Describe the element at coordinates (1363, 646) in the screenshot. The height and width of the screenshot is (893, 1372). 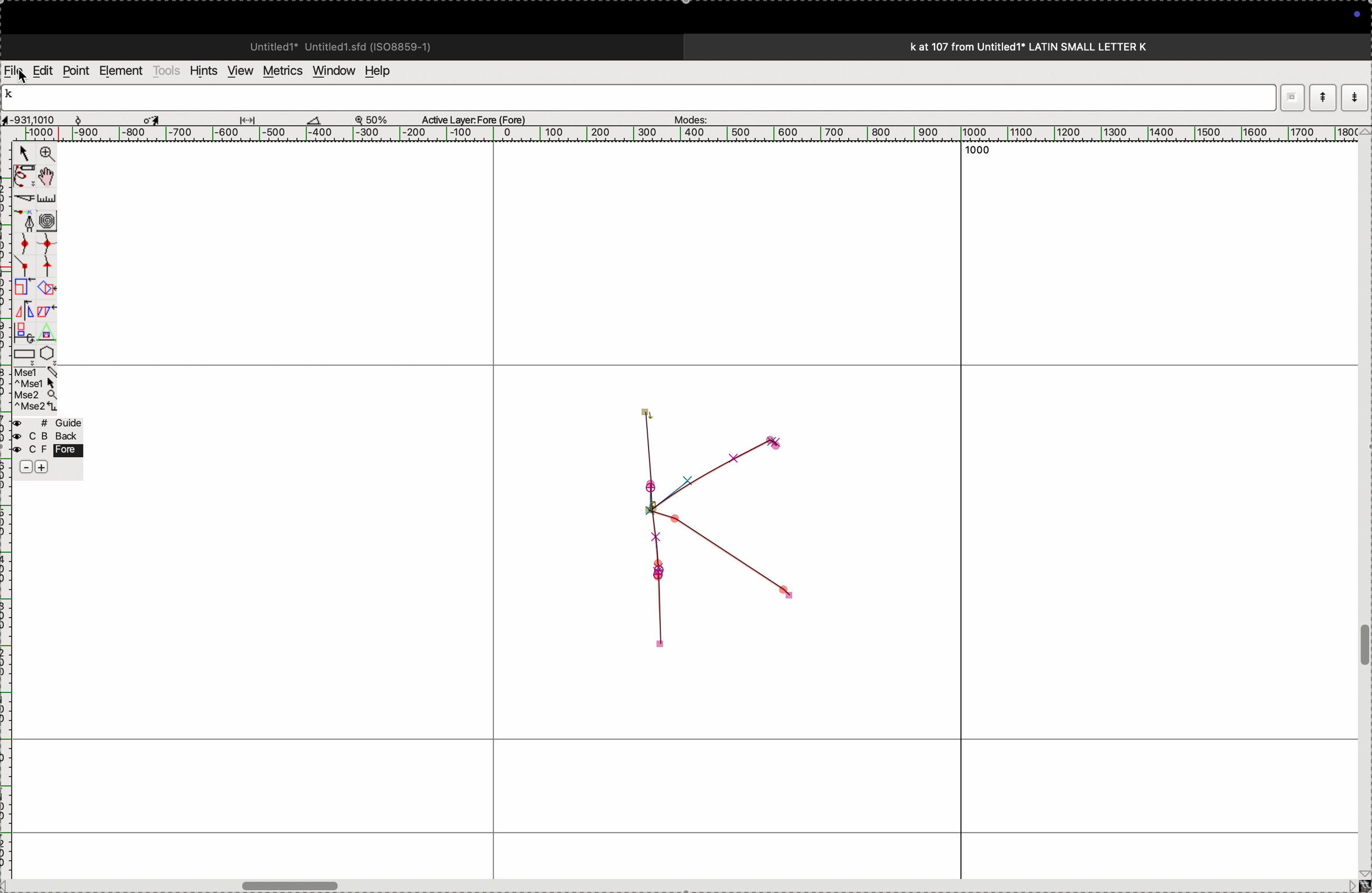
I see `toggle` at that location.